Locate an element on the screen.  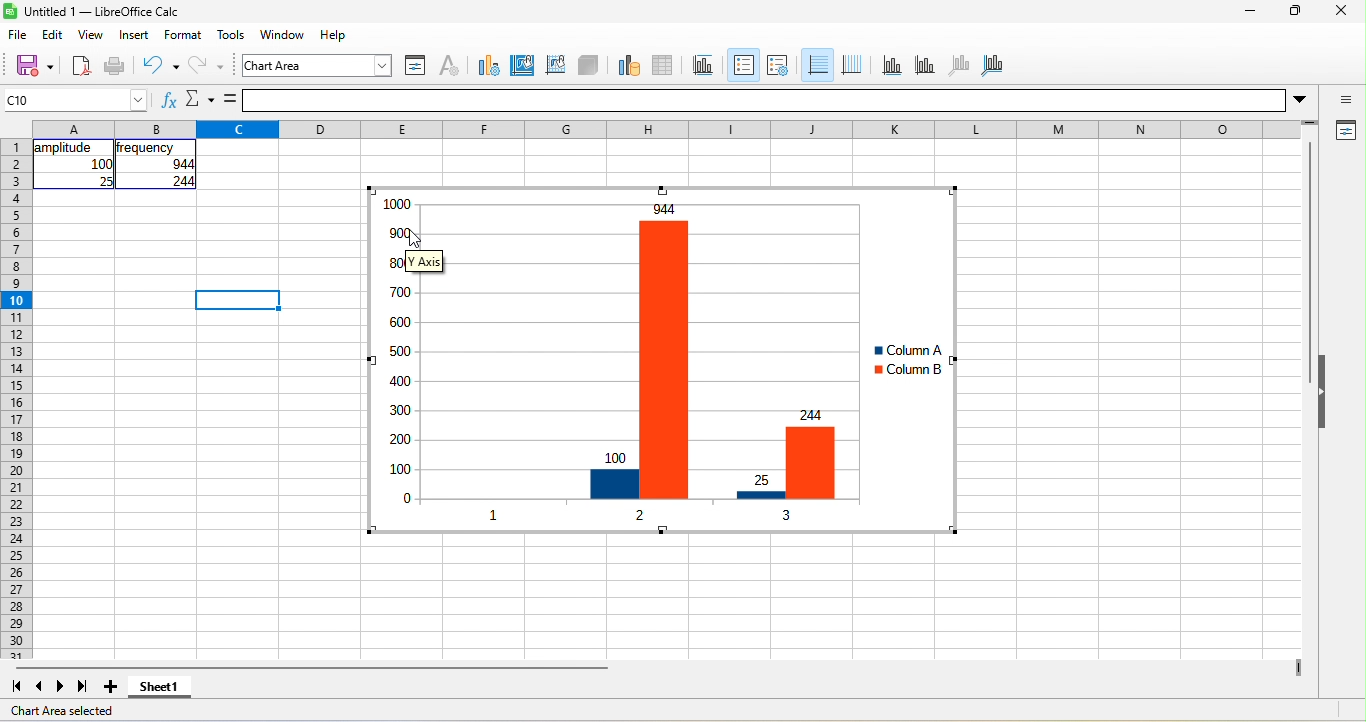
print is located at coordinates (115, 67).